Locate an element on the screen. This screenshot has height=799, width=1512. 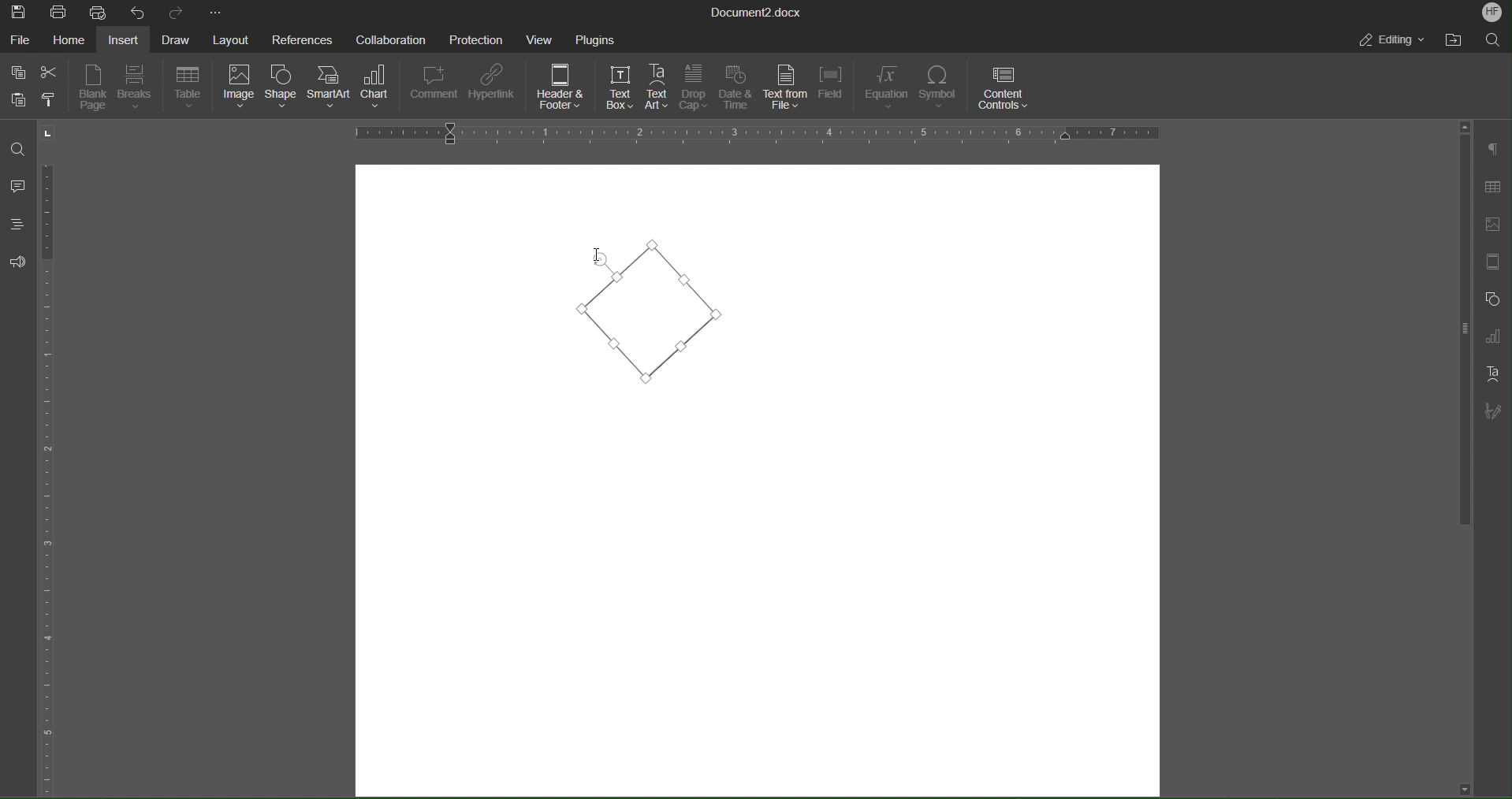
Plugins is located at coordinates (596, 38).